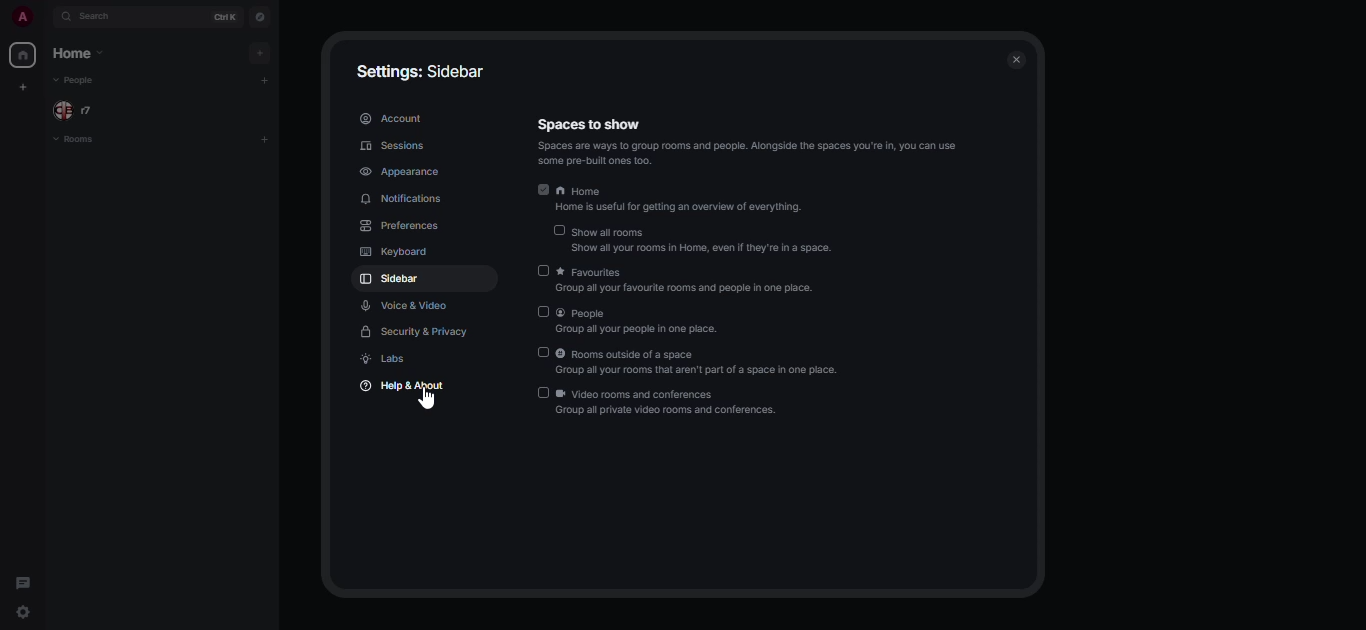 The height and width of the screenshot is (630, 1366). Describe the element at coordinates (394, 250) in the screenshot. I see `keyboard` at that location.